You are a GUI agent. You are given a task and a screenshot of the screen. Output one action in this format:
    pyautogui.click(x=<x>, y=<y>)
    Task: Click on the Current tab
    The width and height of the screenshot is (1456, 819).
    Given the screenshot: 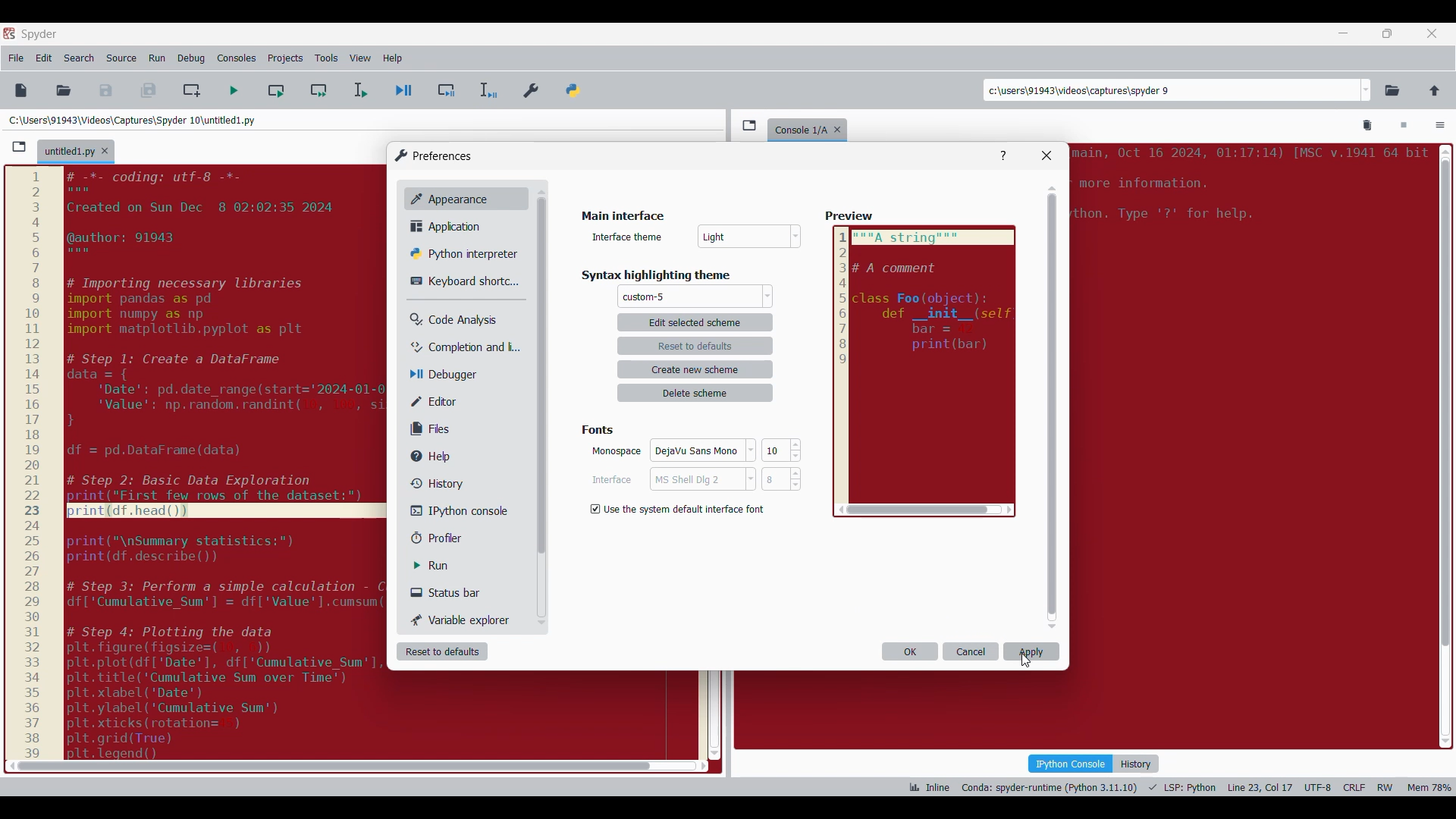 What is the action you would take?
    pyautogui.click(x=69, y=152)
    